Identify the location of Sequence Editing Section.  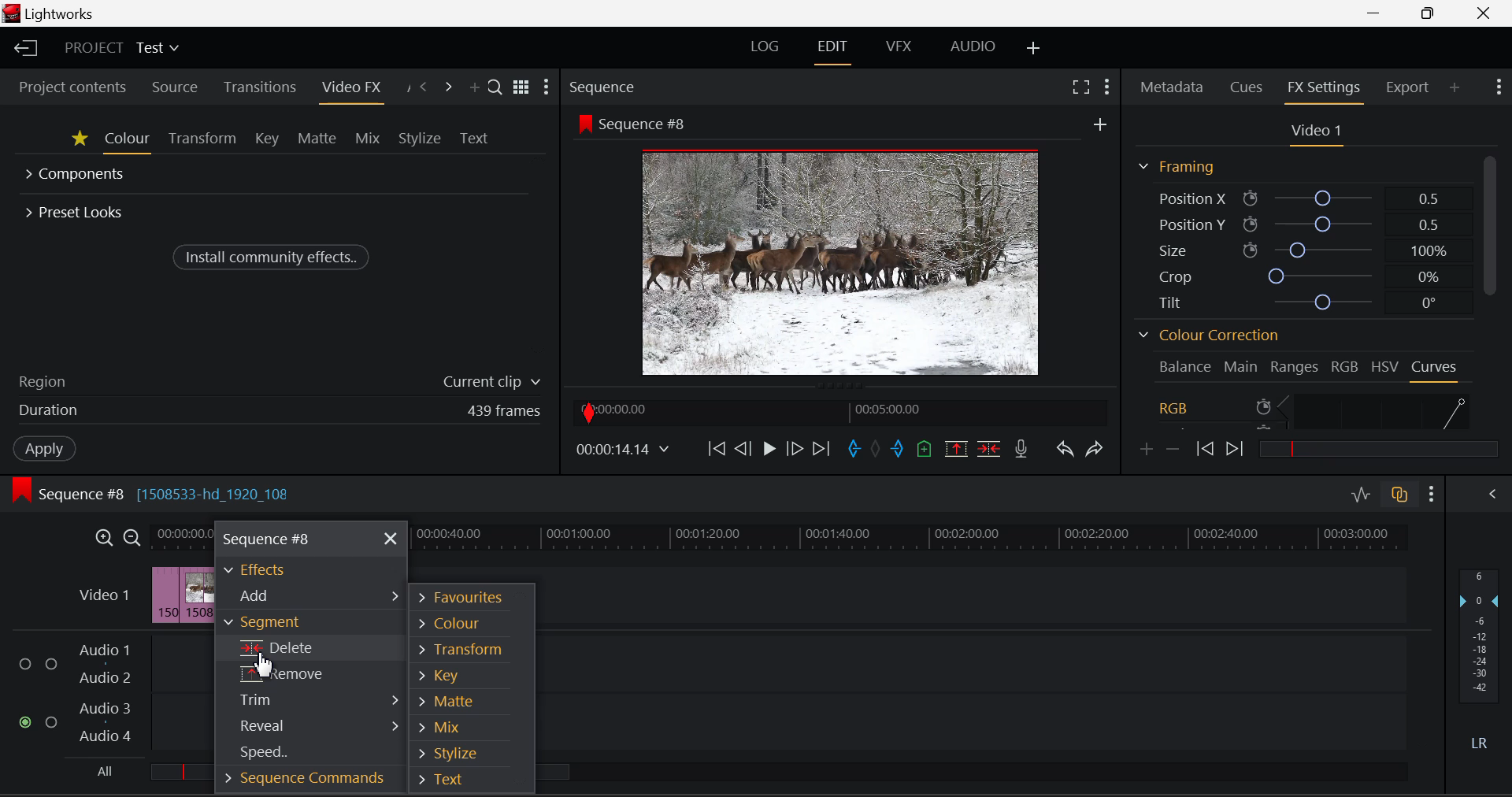
(154, 494).